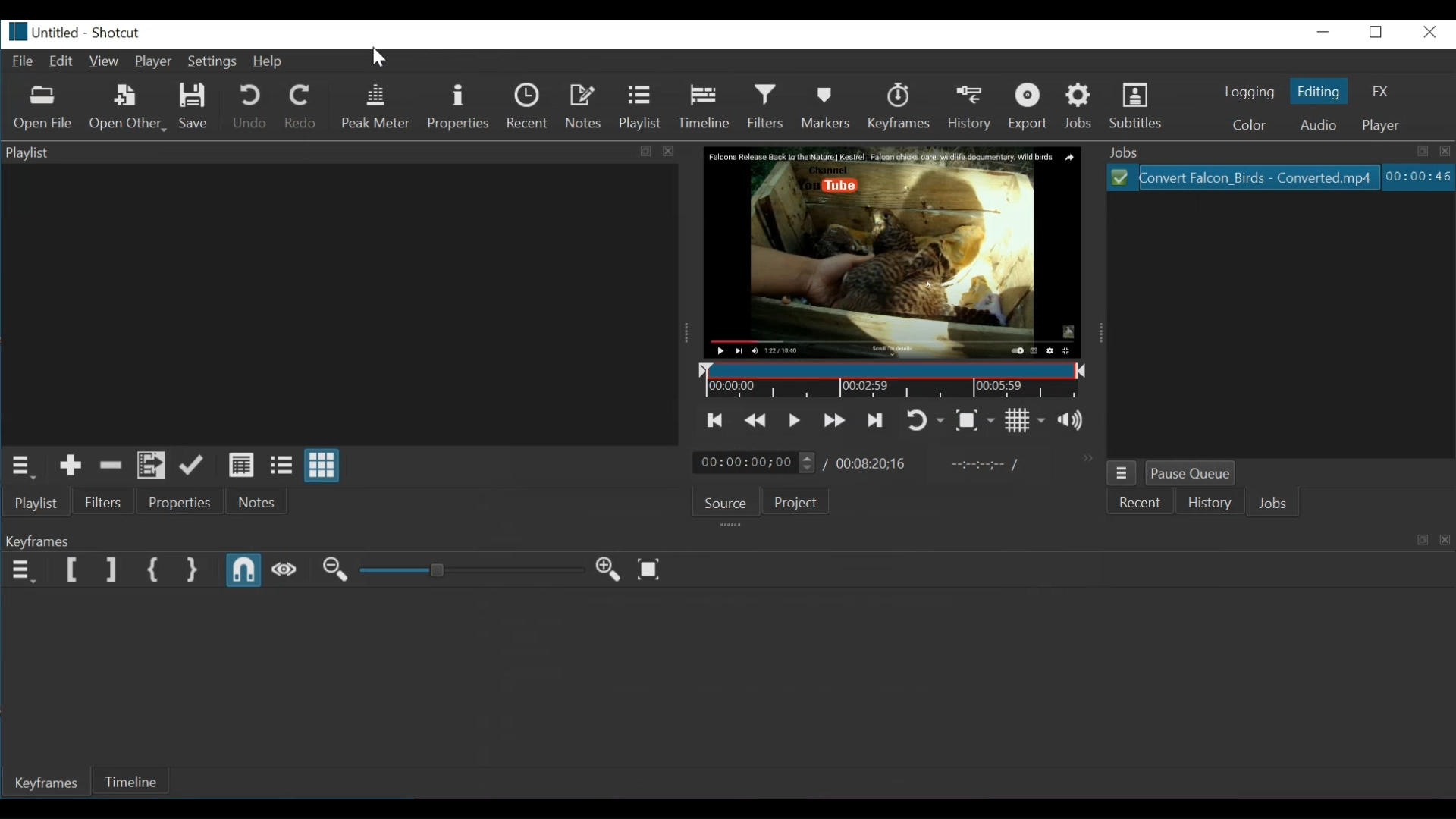 Image resolution: width=1456 pixels, height=819 pixels. I want to click on Adjust Zoom Keyframe, so click(472, 571).